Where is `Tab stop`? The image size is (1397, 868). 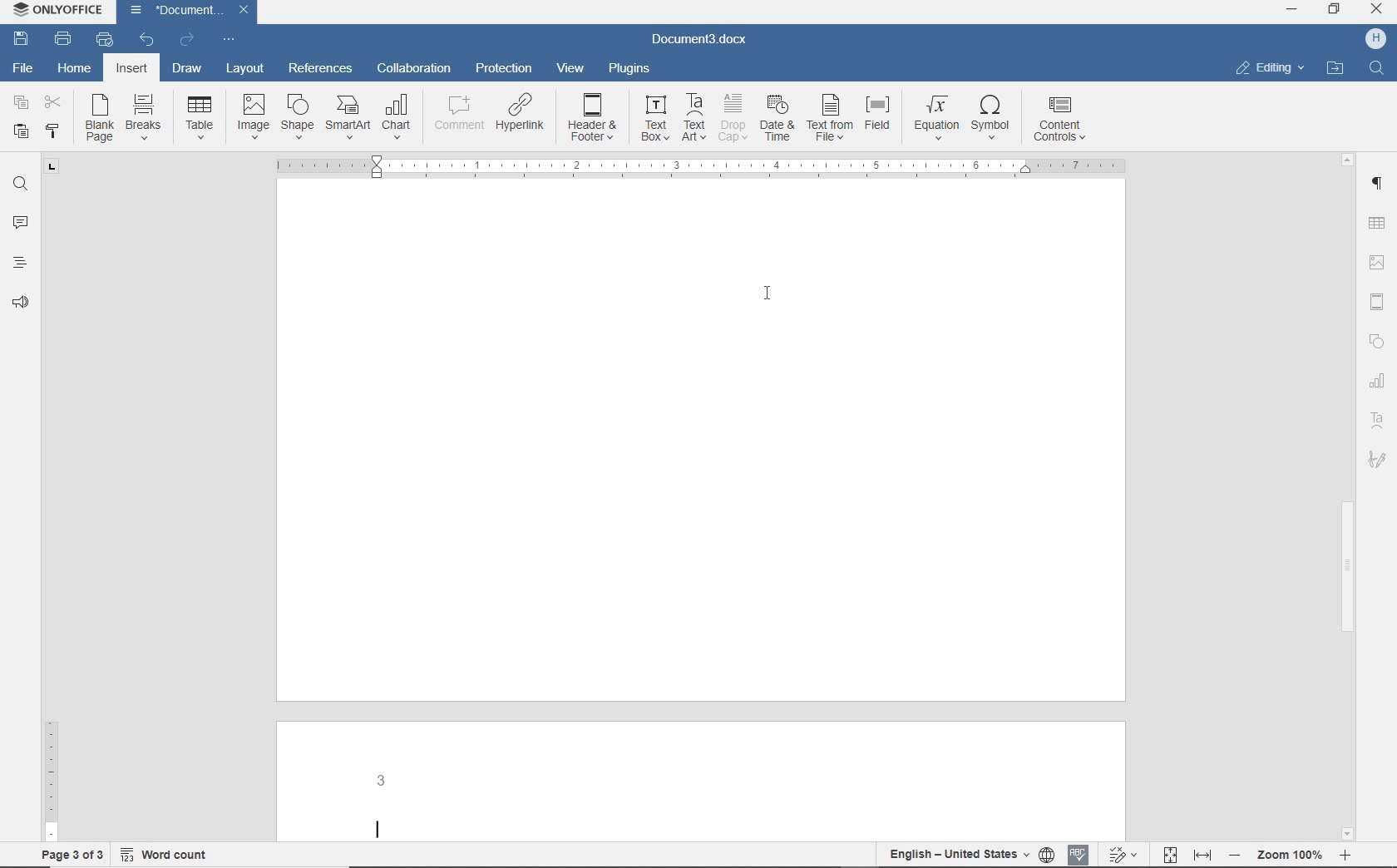 Tab stop is located at coordinates (53, 172).